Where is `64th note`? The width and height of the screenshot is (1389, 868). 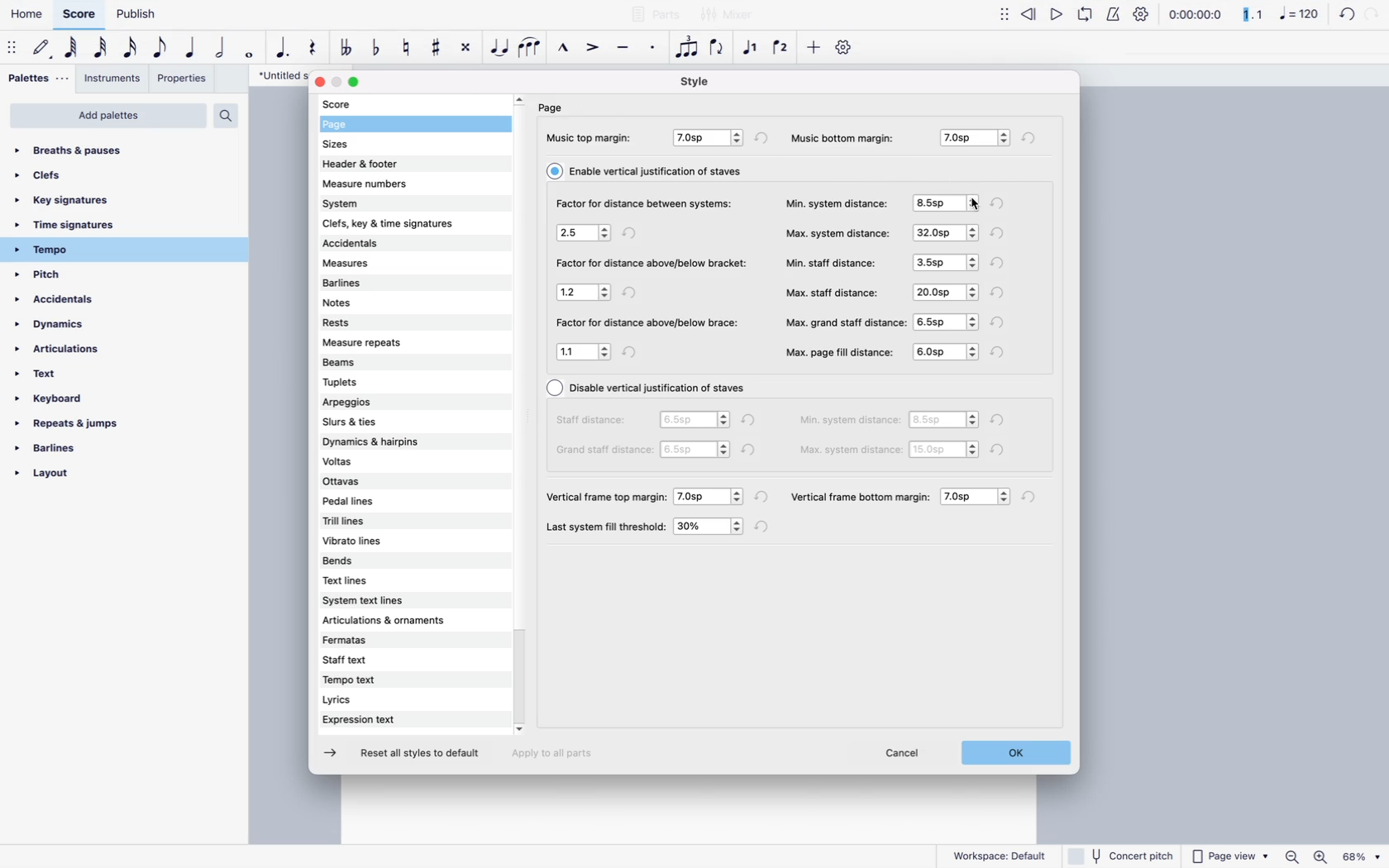 64th note is located at coordinates (73, 49).